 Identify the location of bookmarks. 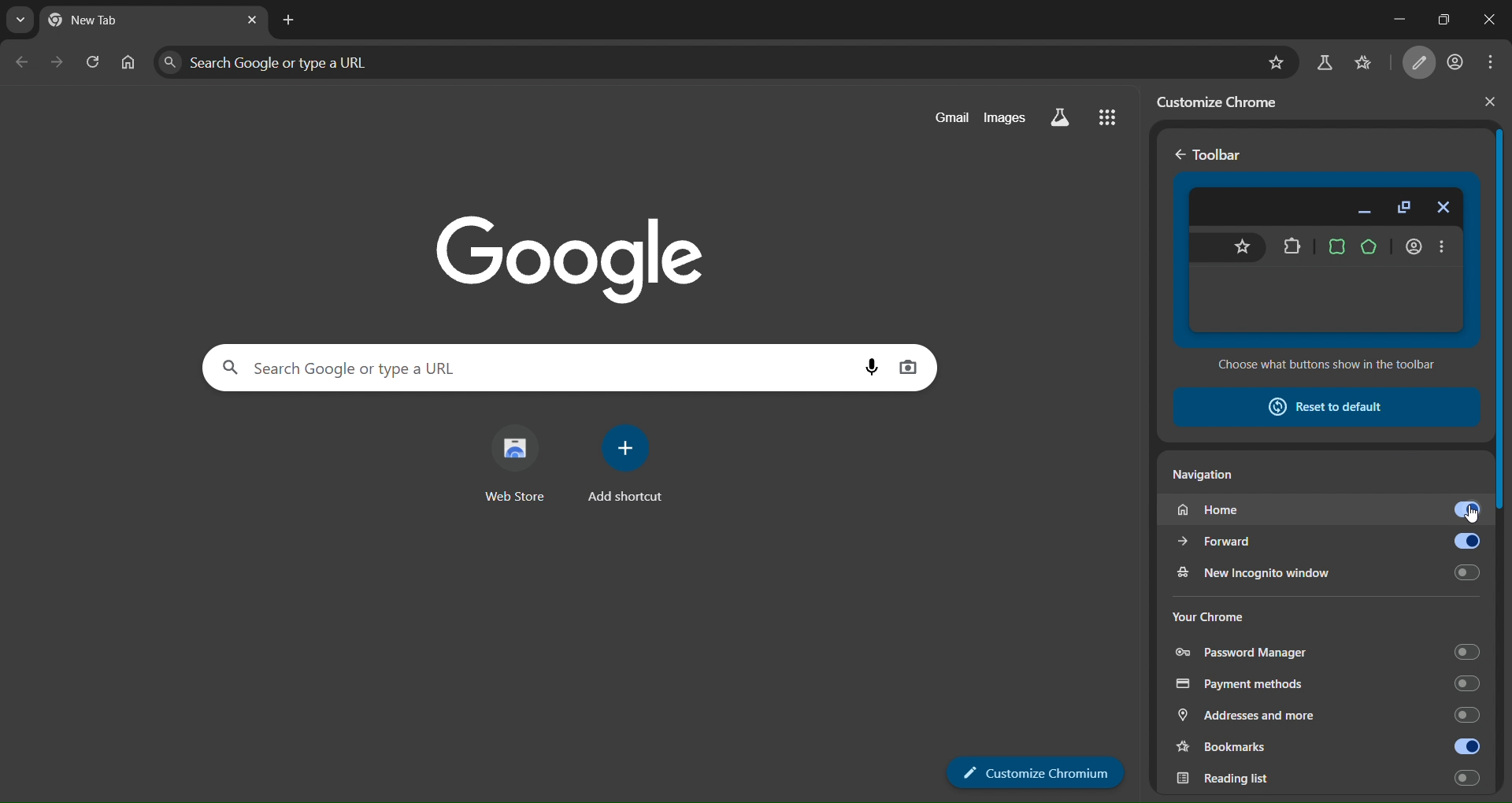
(1373, 61).